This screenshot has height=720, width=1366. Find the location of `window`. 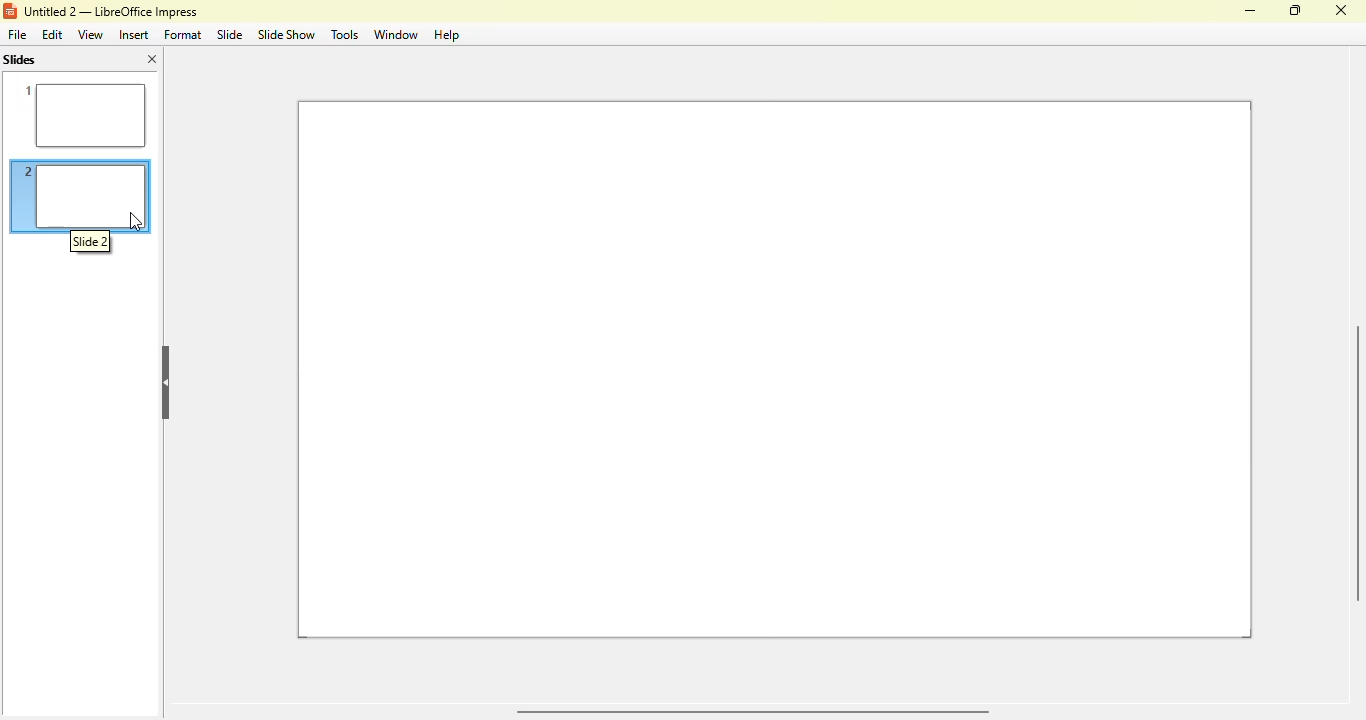

window is located at coordinates (395, 35).